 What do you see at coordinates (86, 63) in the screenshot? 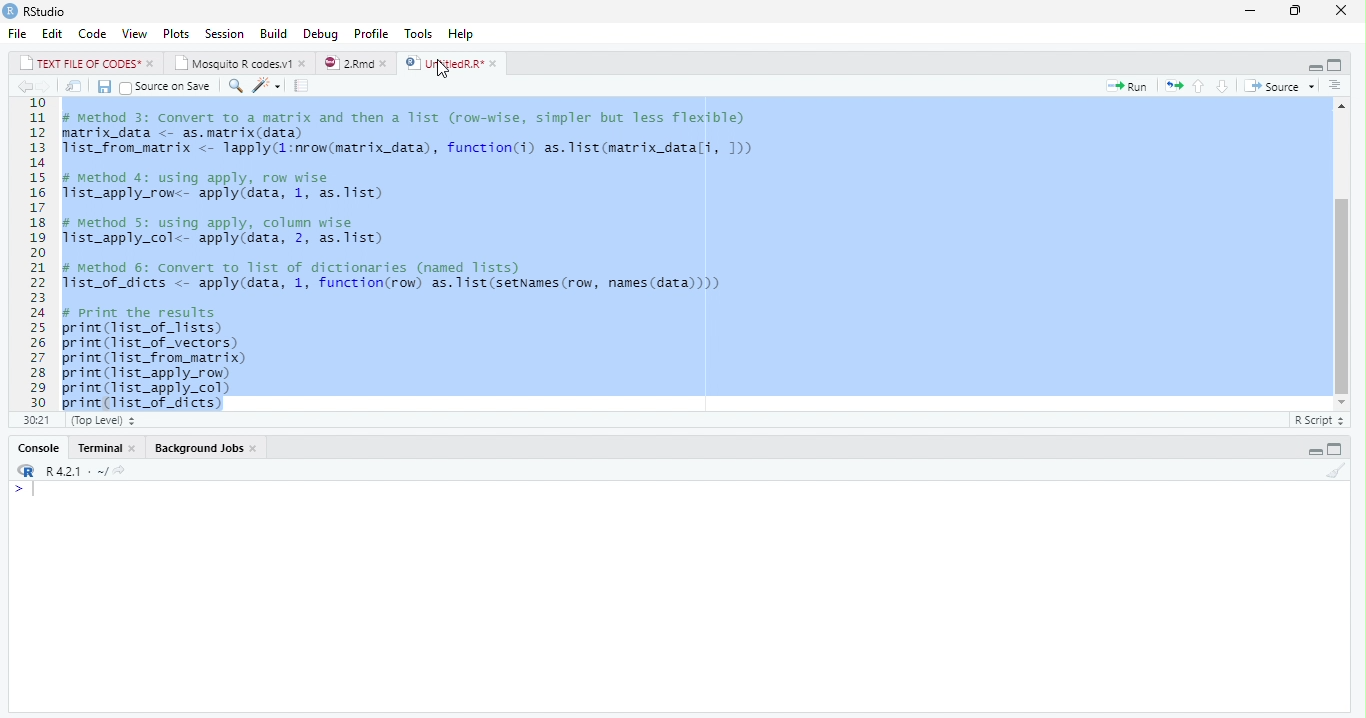
I see `TEXT FILE OF CODES*` at bounding box center [86, 63].